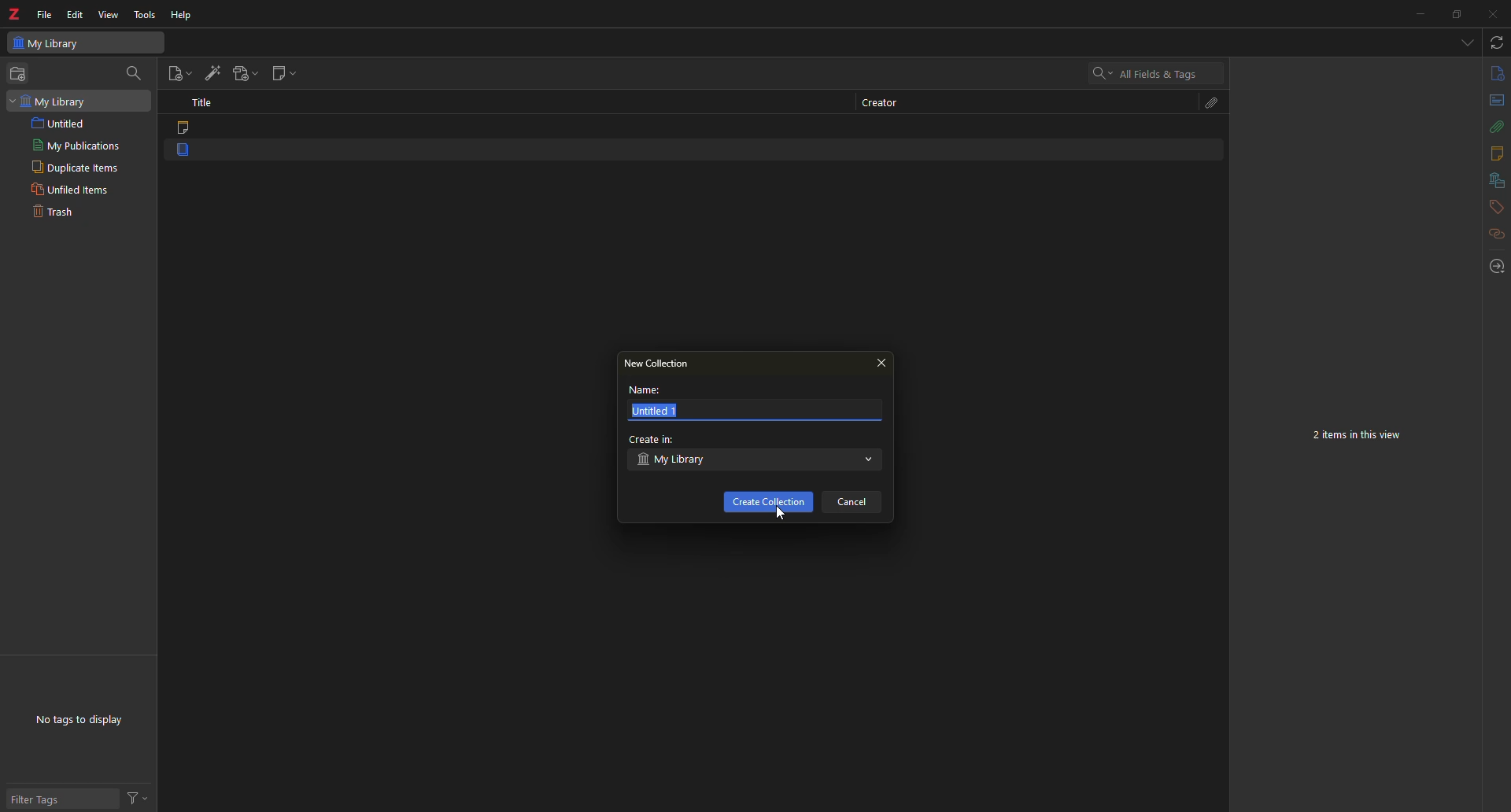  Describe the element at coordinates (185, 13) in the screenshot. I see `help` at that location.